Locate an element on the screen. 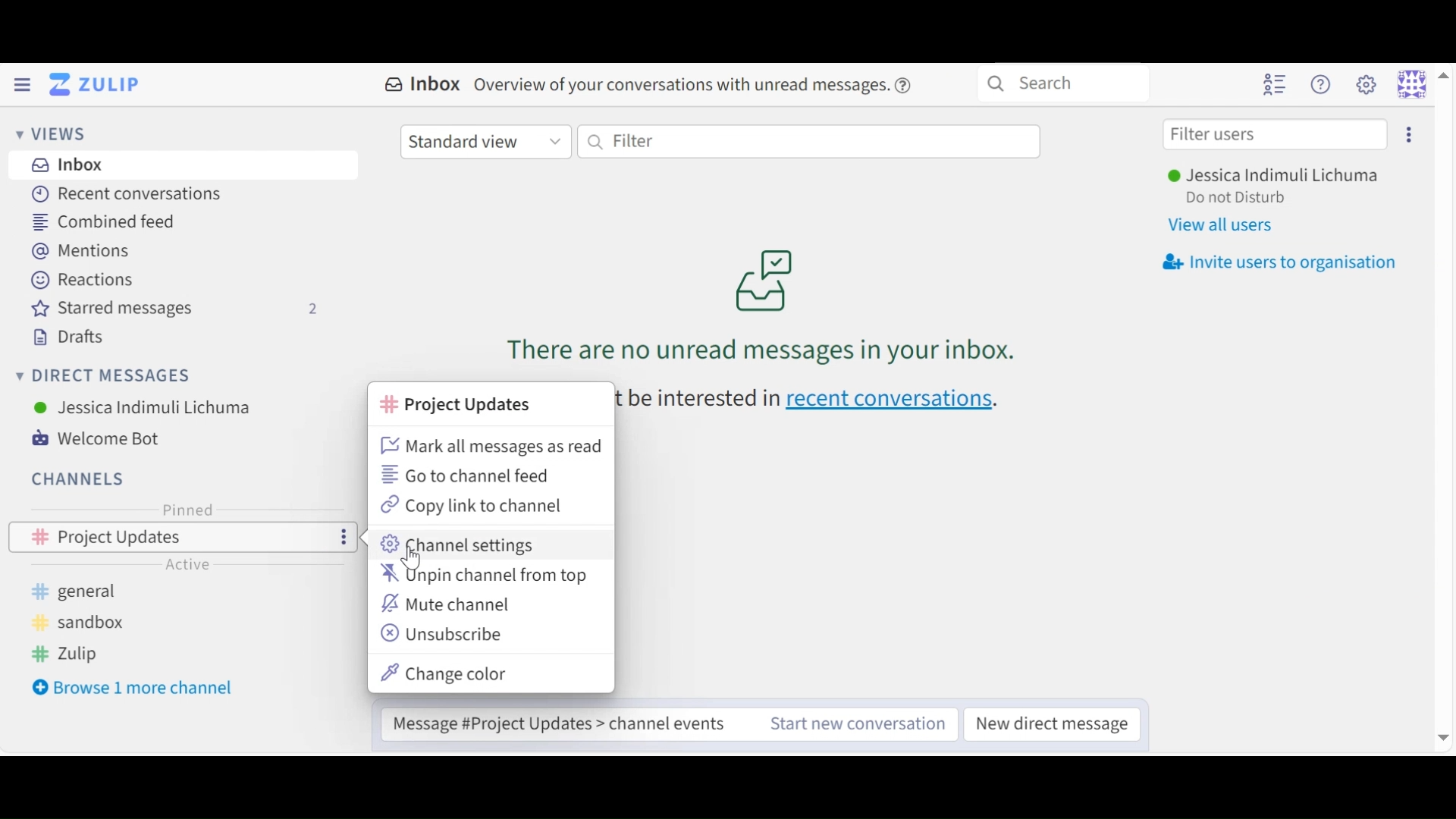 Image resolution: width=1456 pixels, height=819 pixels. Channel name is located at coordinates (457, 404).